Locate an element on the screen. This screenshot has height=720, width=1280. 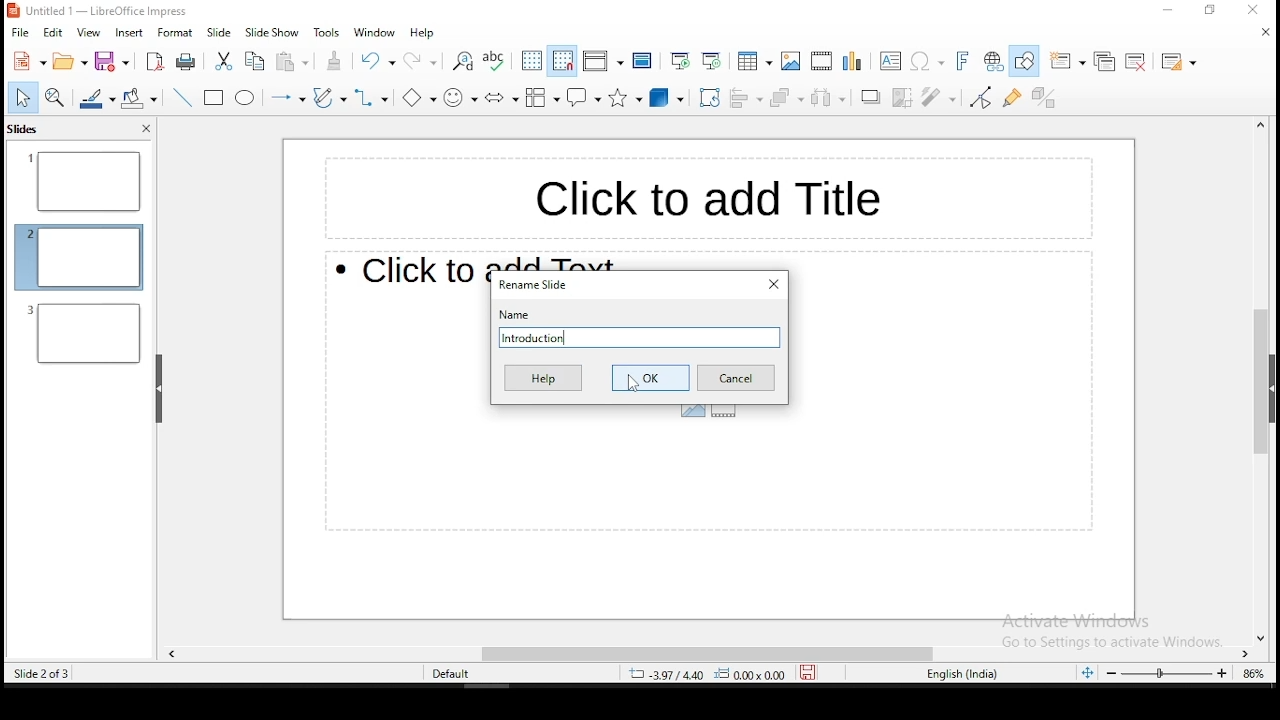
scroll bar is located at coordinates (711, 651).